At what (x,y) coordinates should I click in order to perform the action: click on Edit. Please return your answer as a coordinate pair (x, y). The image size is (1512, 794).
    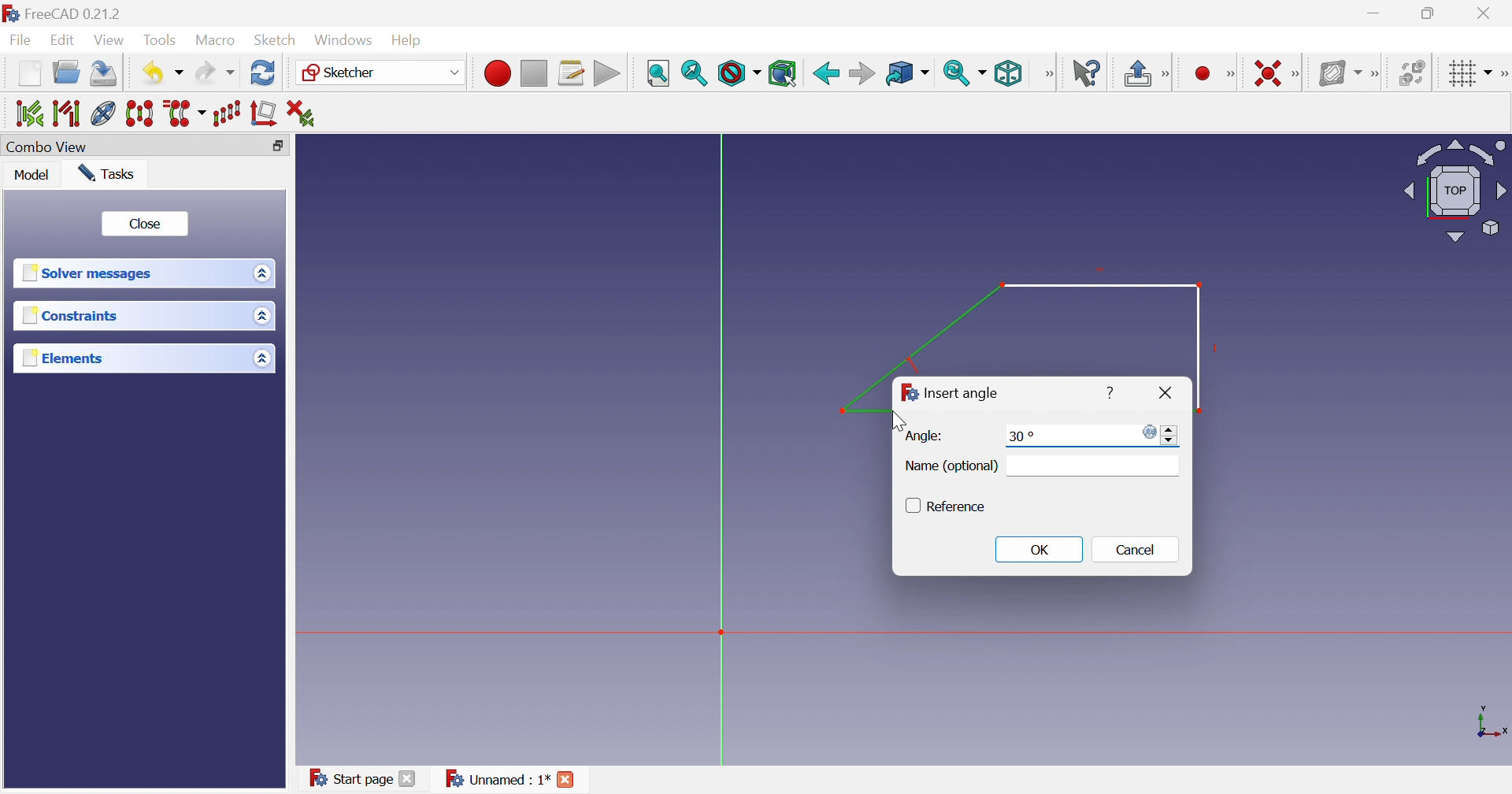
    Looking at the image, I should click on (64, 41).